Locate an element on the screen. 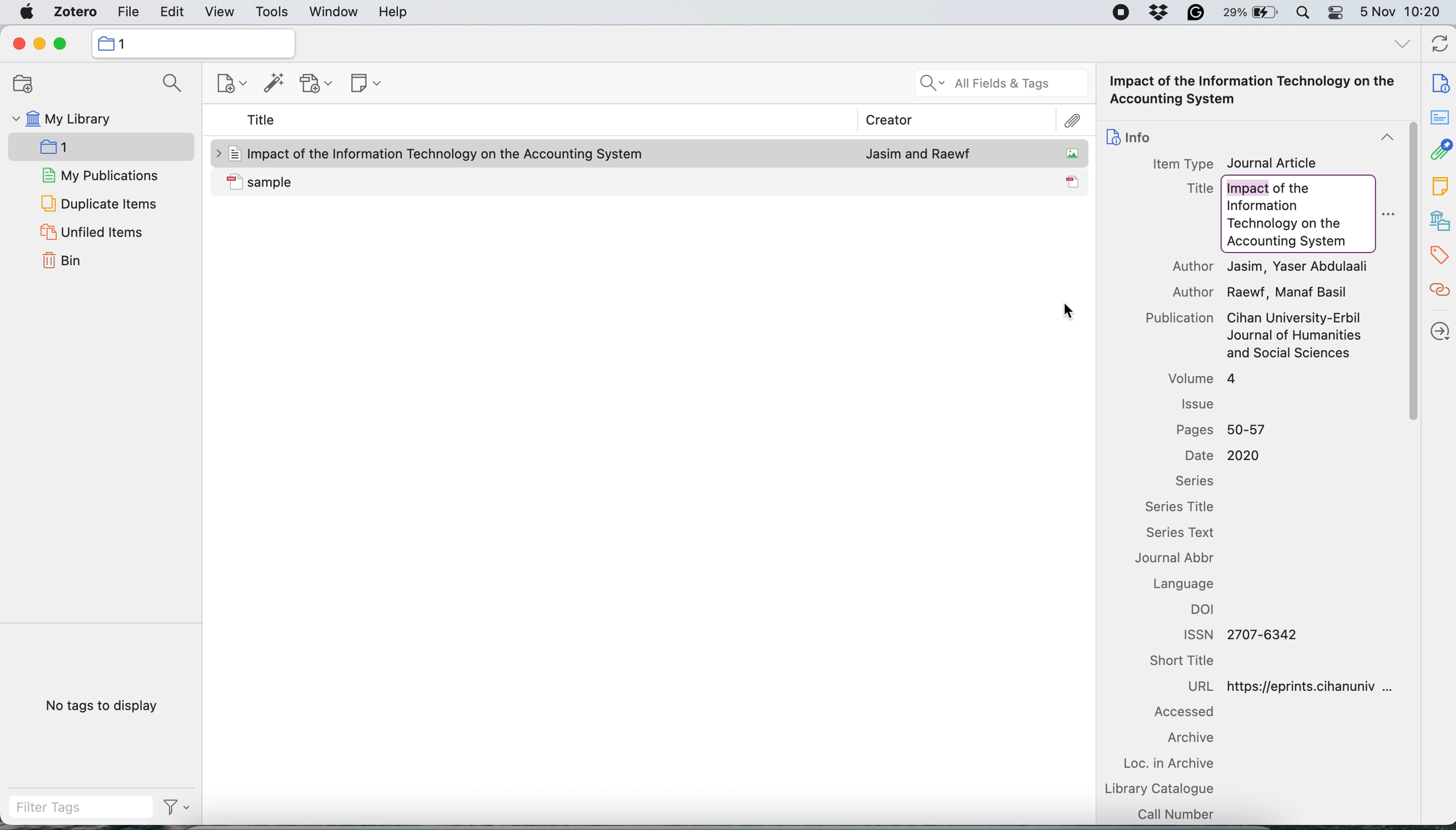  Item Type Journal Article is located at coordinates (1233, 163).